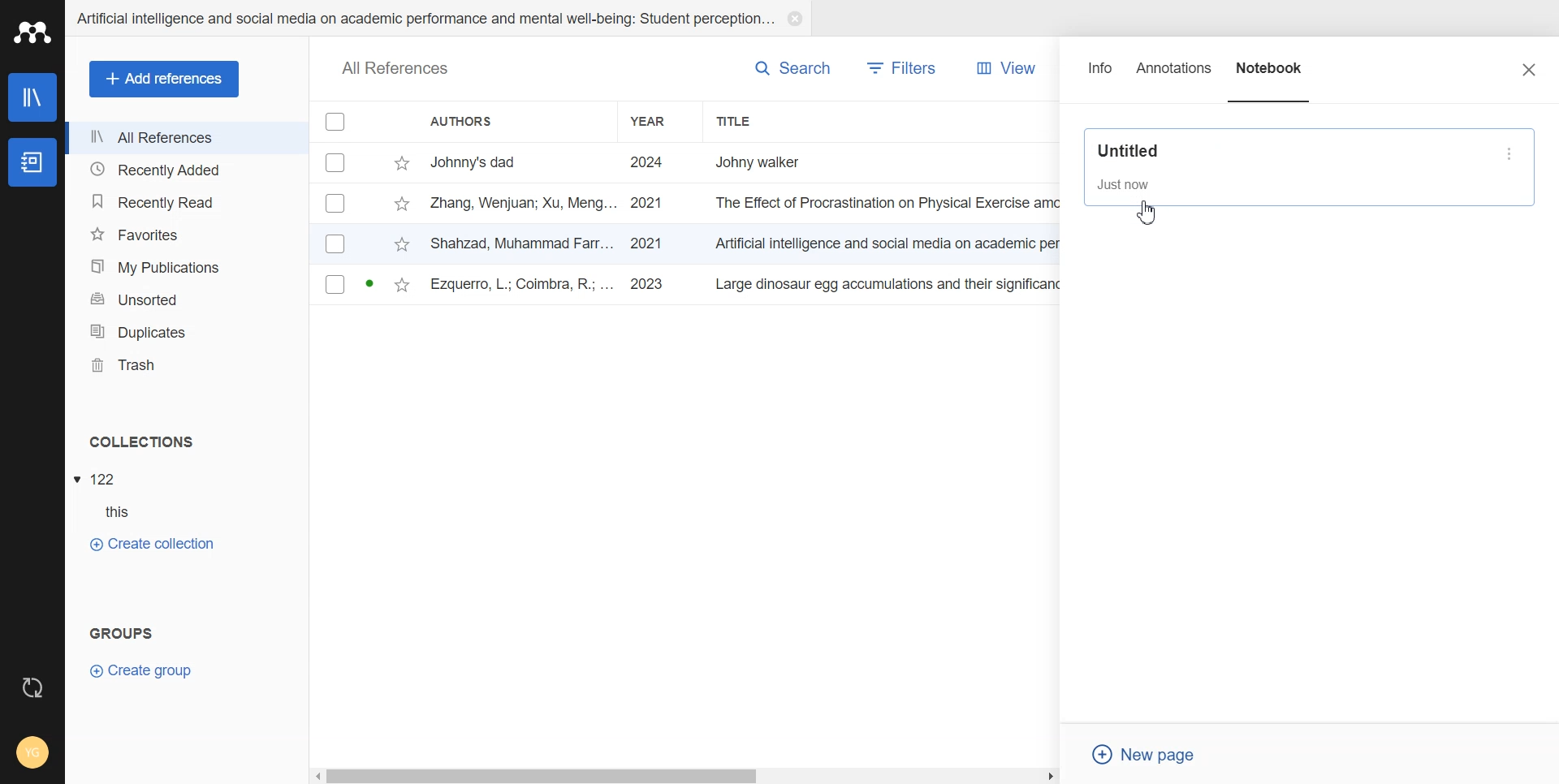 The width and height of the screenshot is (1559, 784). I want to click on Recently Read, so click(185, 203).